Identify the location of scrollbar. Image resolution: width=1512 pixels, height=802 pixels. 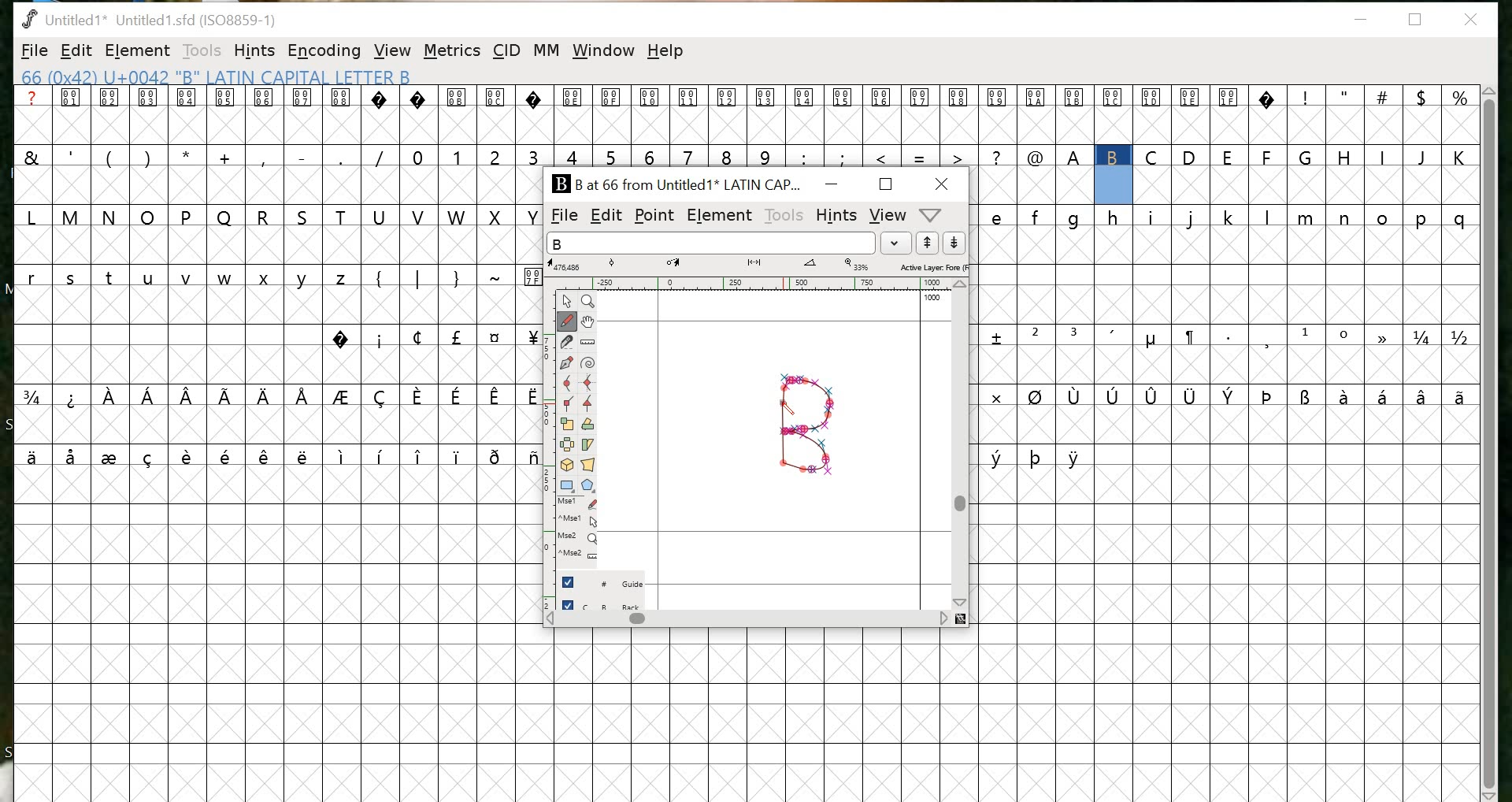
(754, 621).